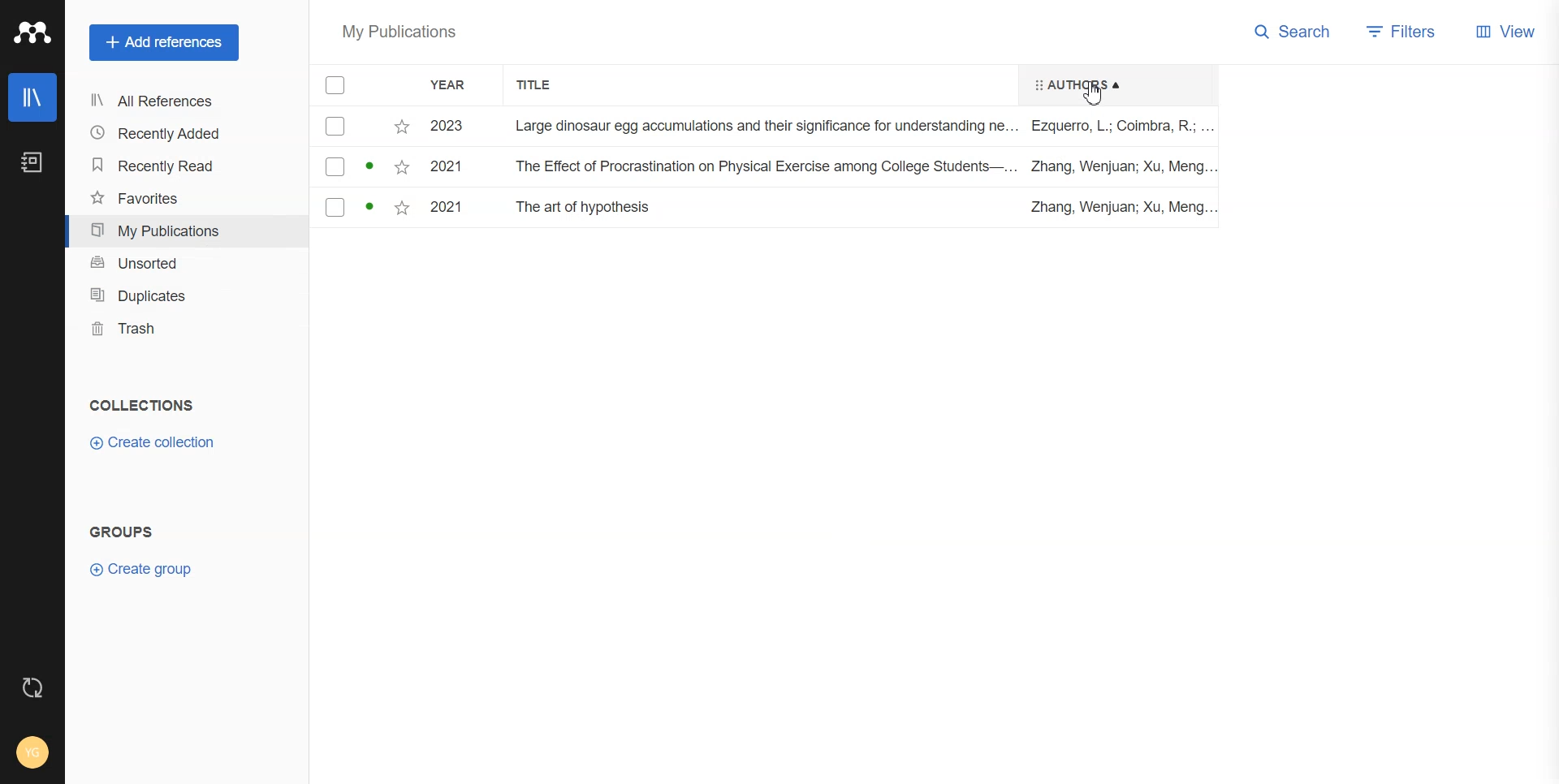 Image resolution: width=1559 pixels, height=784 pixels. What do you see at coordinates (146, 569) in the screenshot?
I see `Create group` at bounding box center [146, 569].